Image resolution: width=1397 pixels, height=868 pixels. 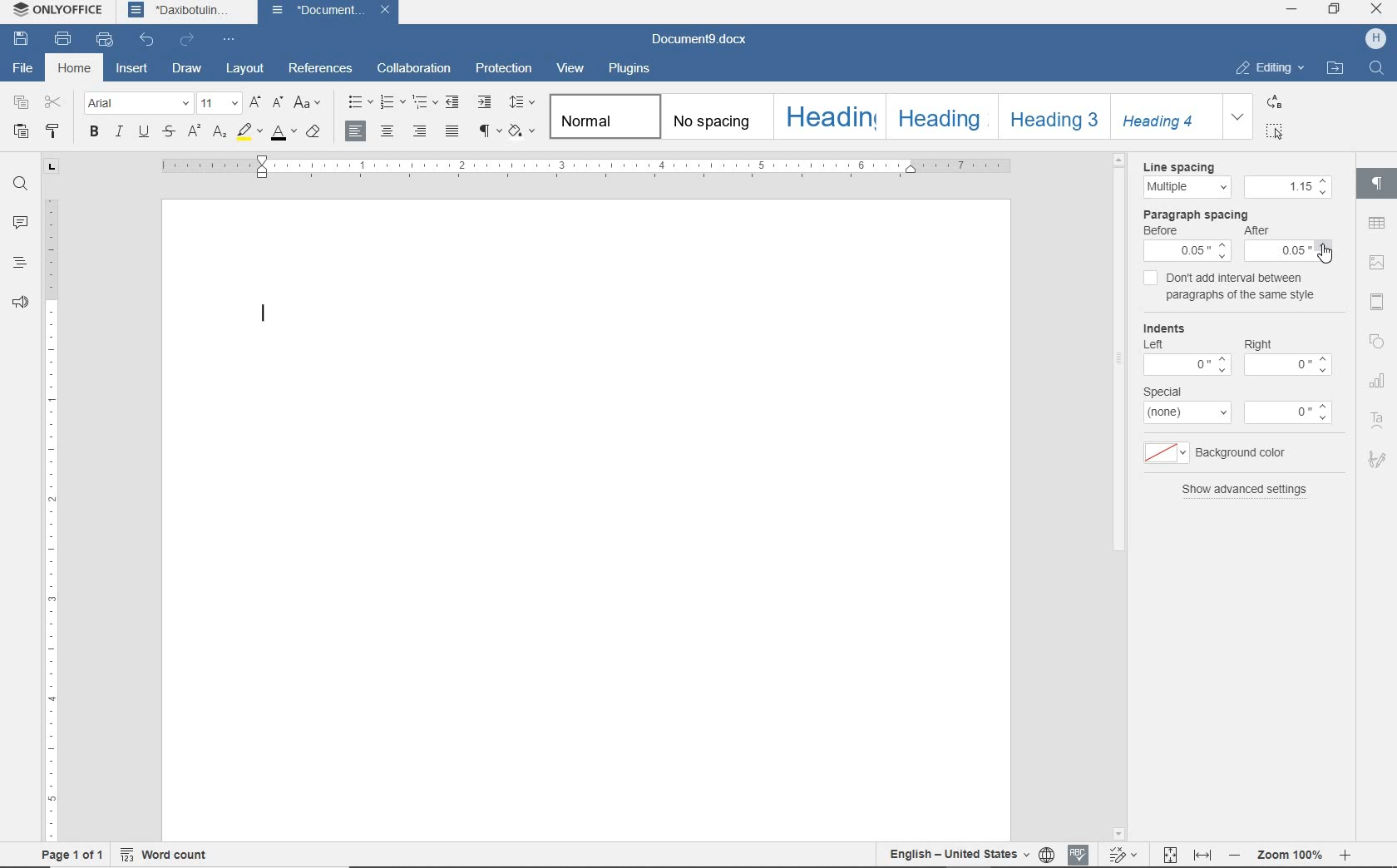 I want to click on text art, so click(x=1378, y=421).